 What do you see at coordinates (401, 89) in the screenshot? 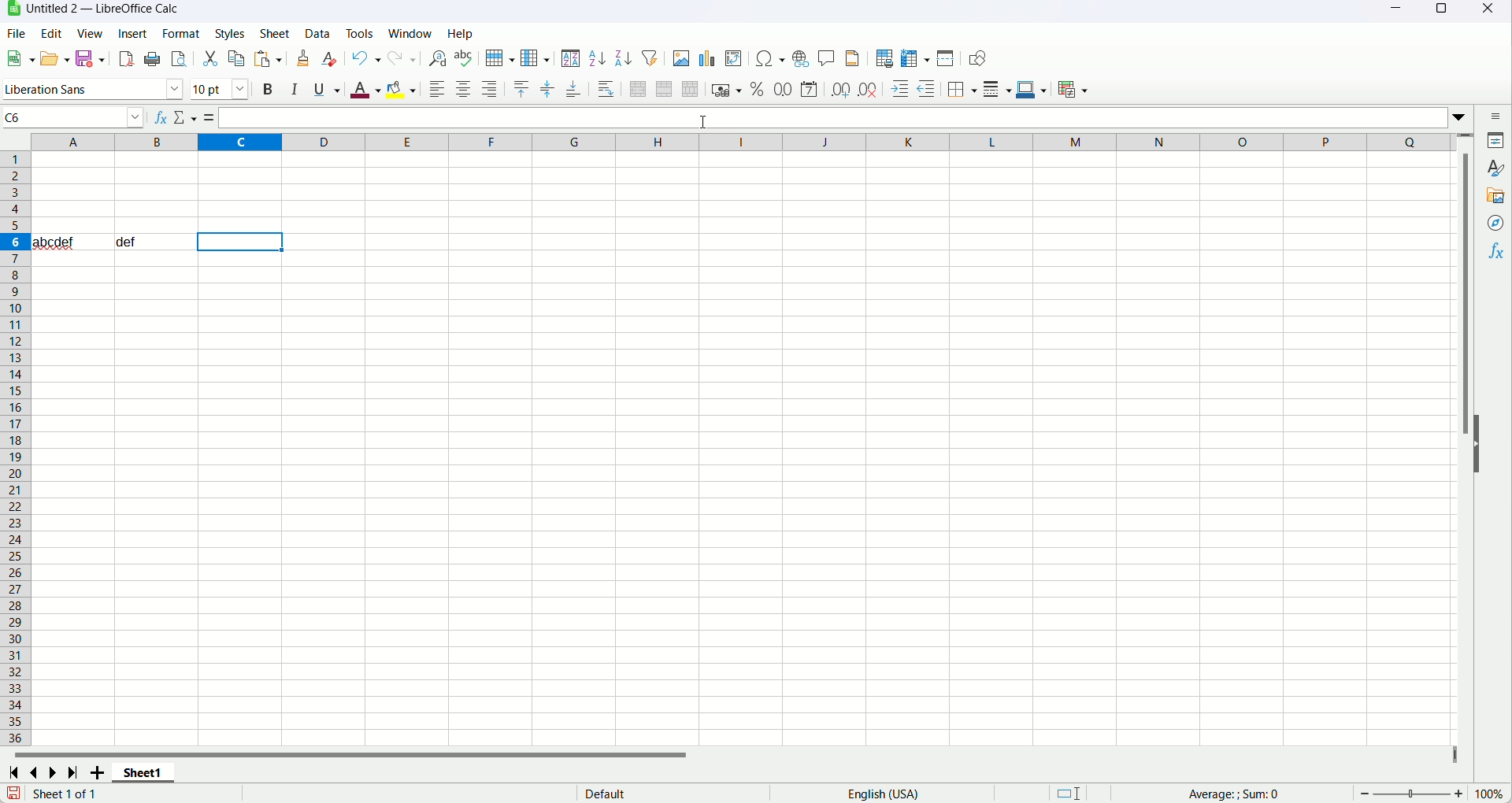
I see `background color` at bounding box center [401, 89].